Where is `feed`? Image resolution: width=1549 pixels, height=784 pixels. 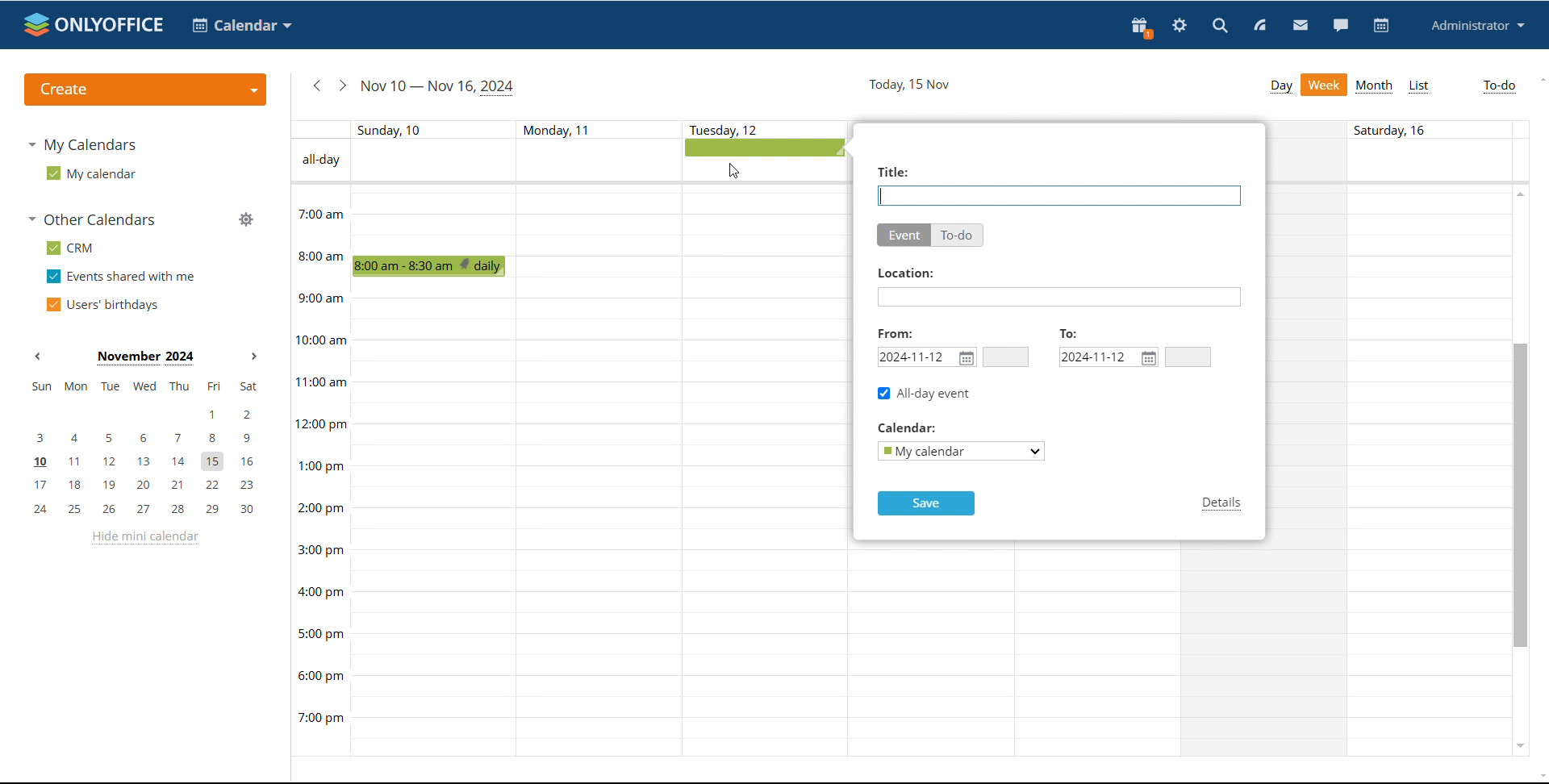
feed is located at coordinates (1261, 27).